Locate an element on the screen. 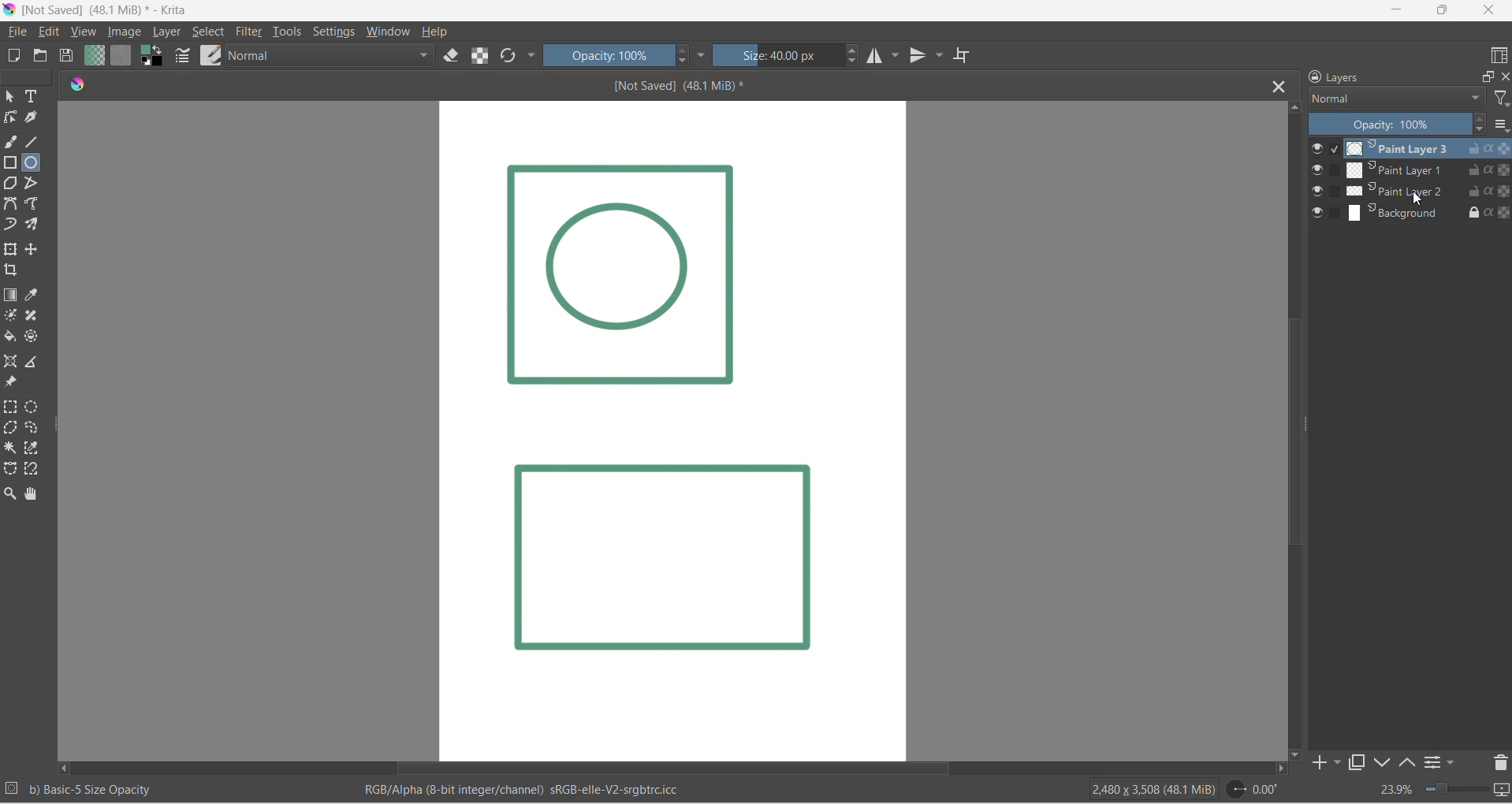 This screenshot has height=804, width=1512. color selection tool is located at coordinates (32, 448).